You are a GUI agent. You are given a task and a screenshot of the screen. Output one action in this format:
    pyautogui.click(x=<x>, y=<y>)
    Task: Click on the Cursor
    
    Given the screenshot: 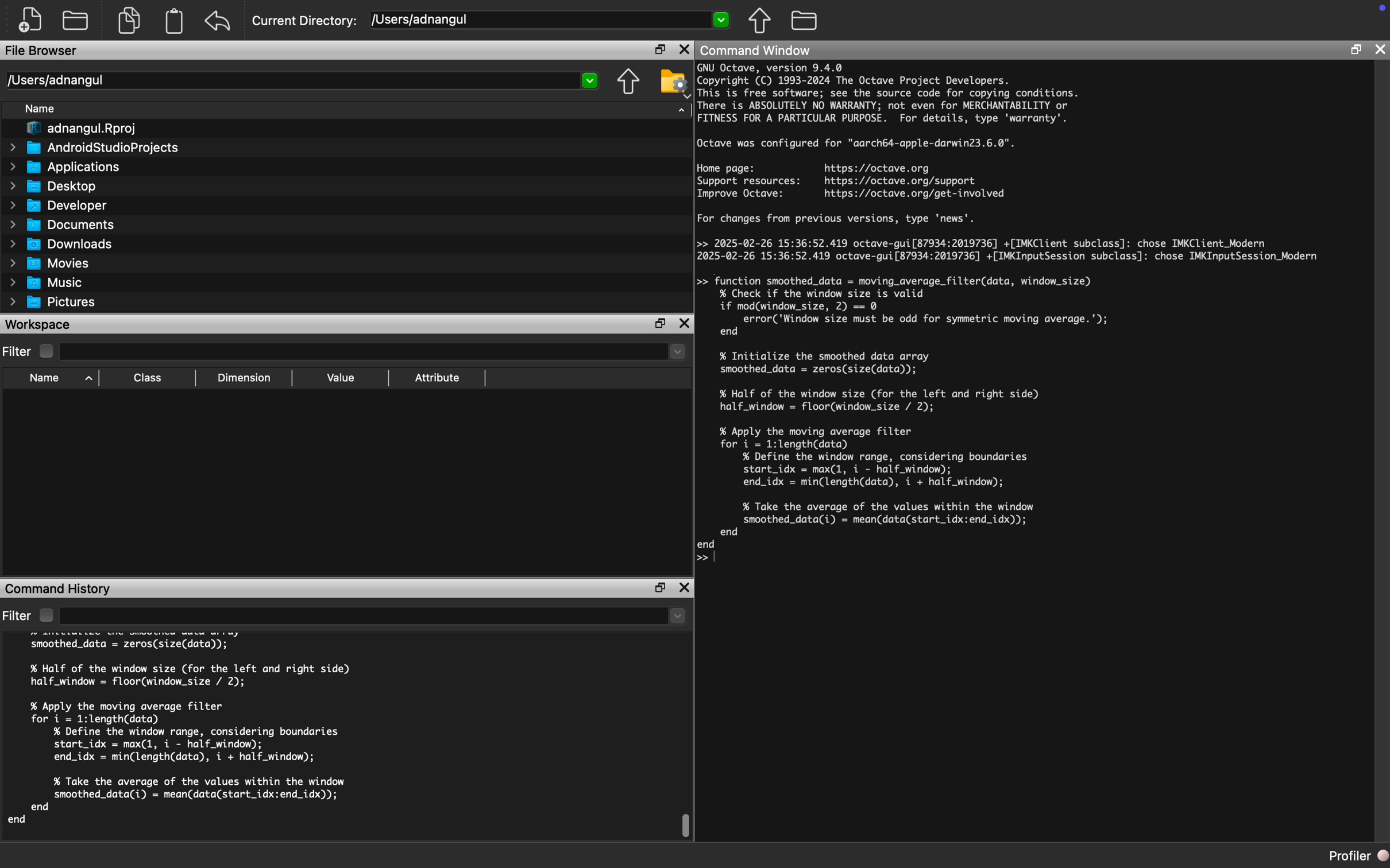 What is the action you would take?
    pyautogui.click(x=731, y=287)
    